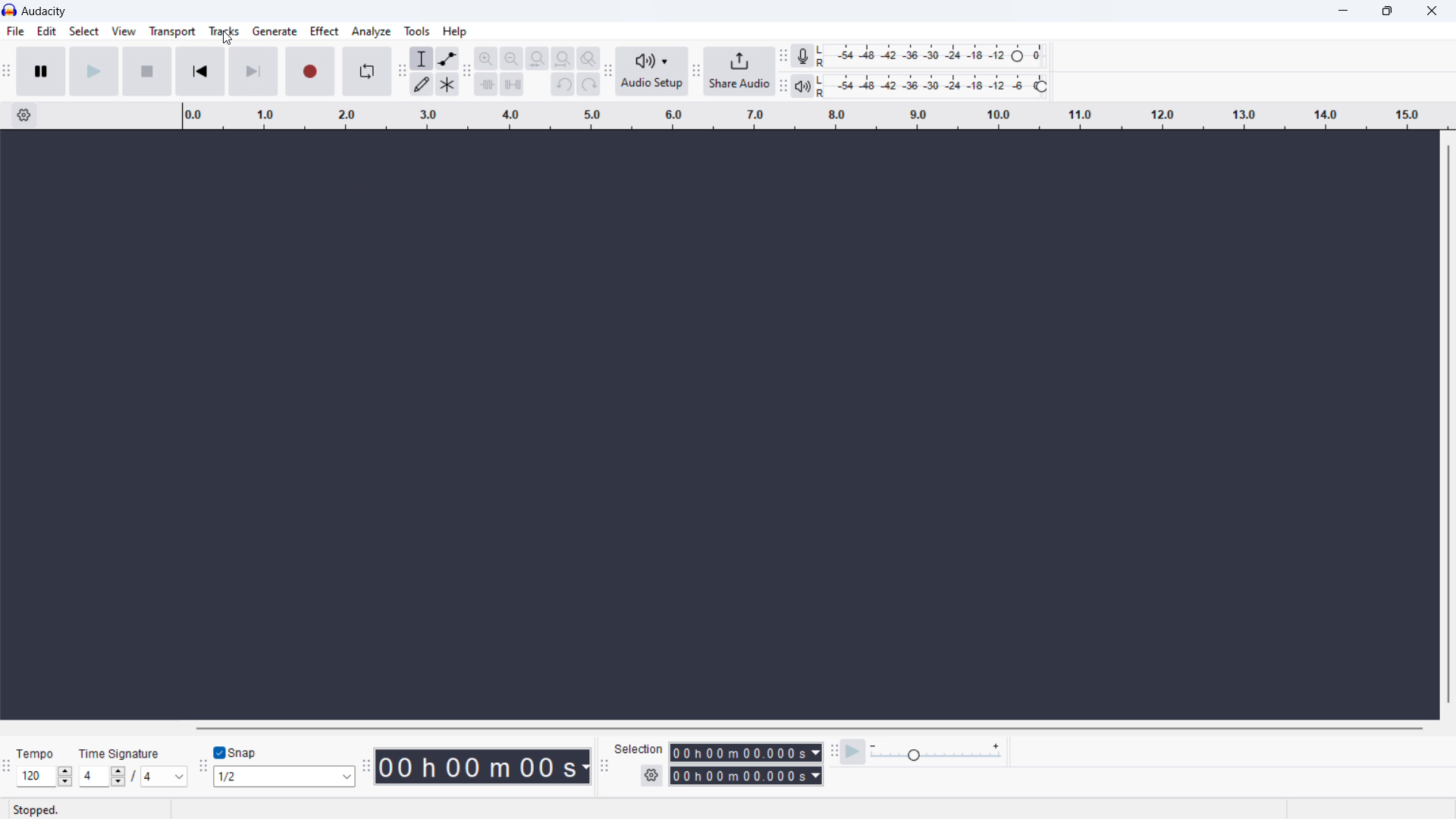 This screenshot has width=1456, height=819. Describe the element at coordinates (538, 58) in the screenshot. I see `fit selection to width` at that location.